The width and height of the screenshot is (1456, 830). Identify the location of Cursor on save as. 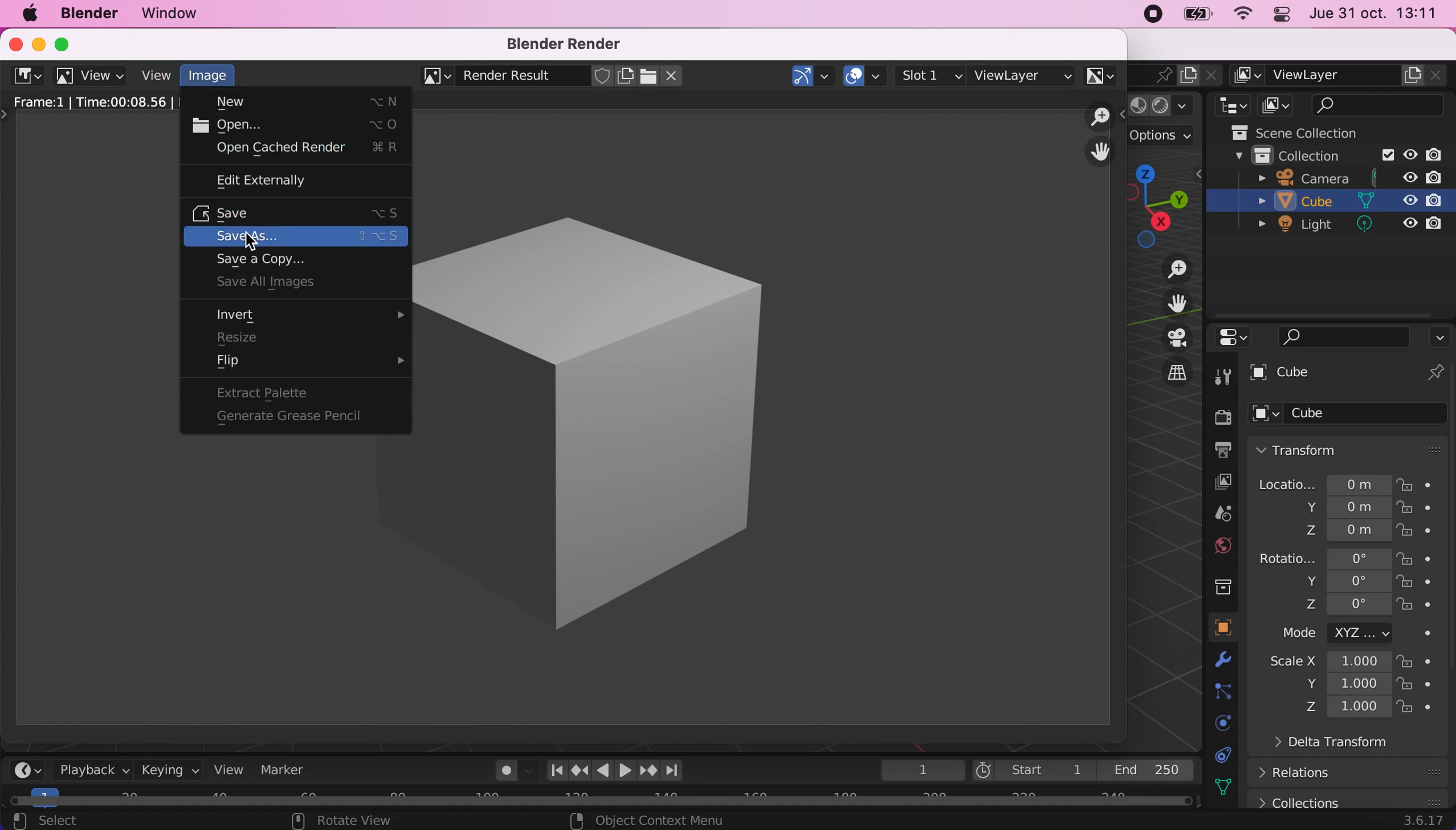
(298, 235).